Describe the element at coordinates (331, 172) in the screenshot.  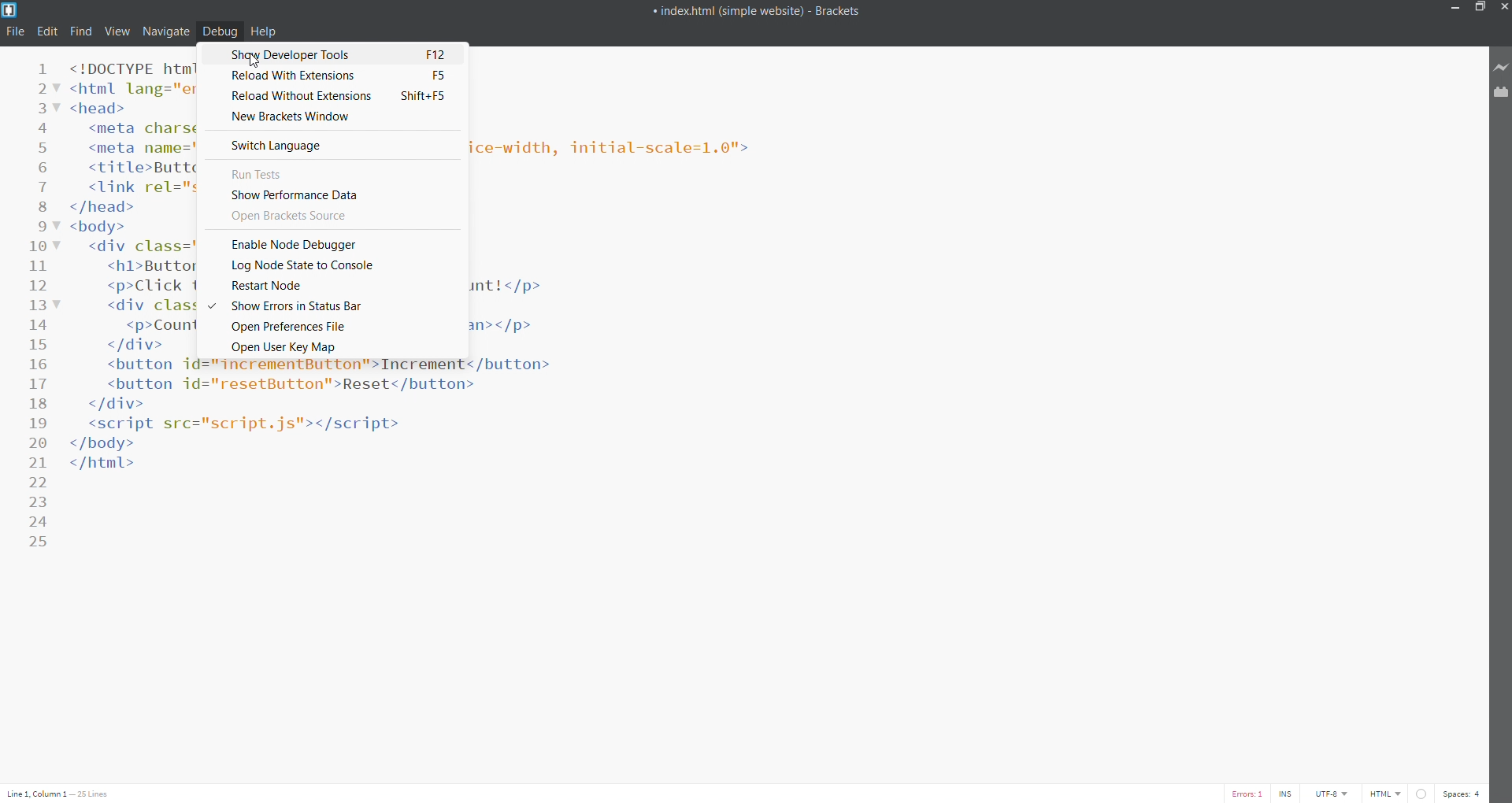
I see `run tests` at that location.